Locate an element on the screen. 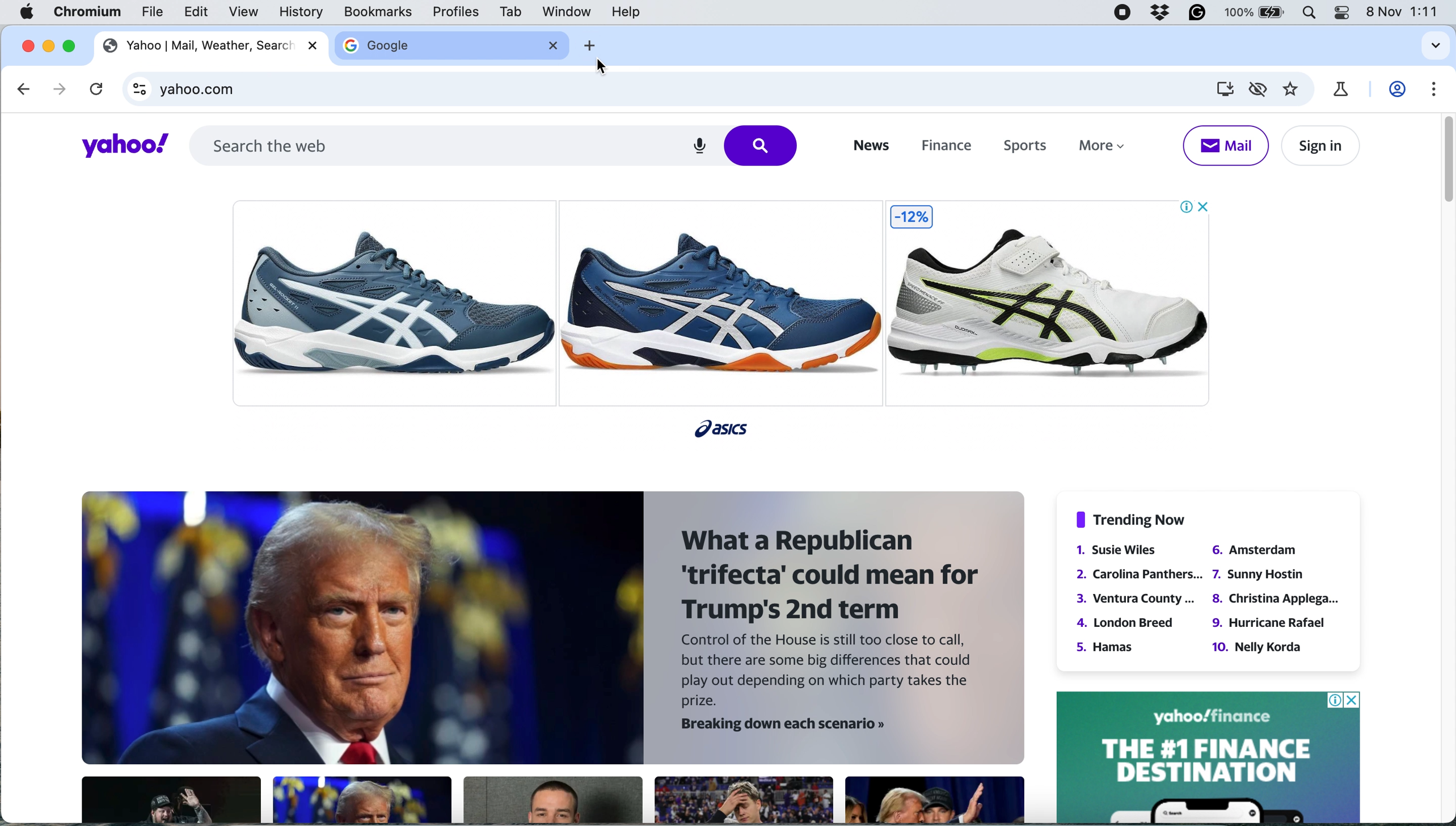 This screenshot has height=826, width=1456. cursor is located at coordinates (604, 69).